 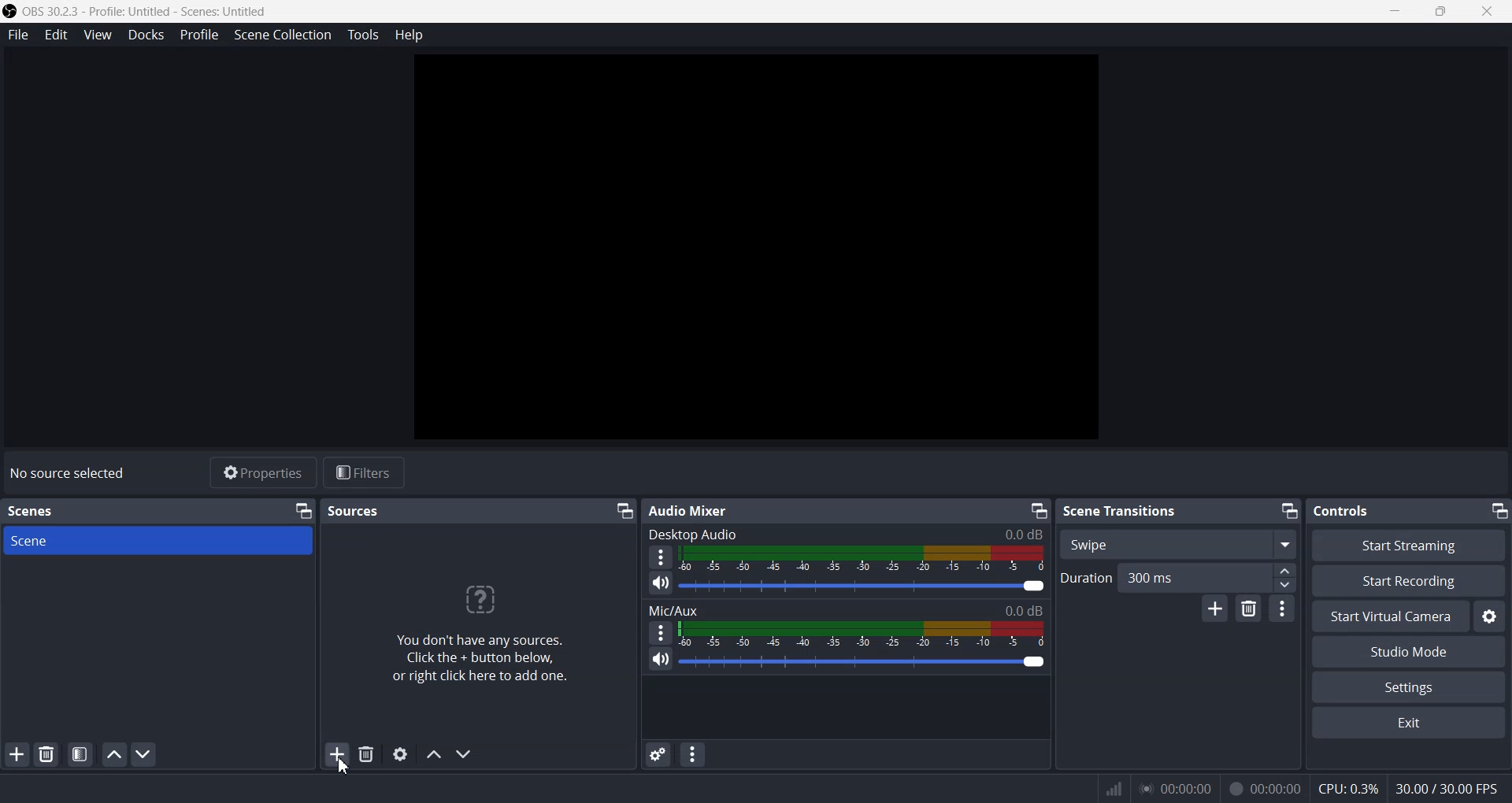 I want to click on Move source down, so click(x=462, y=754).